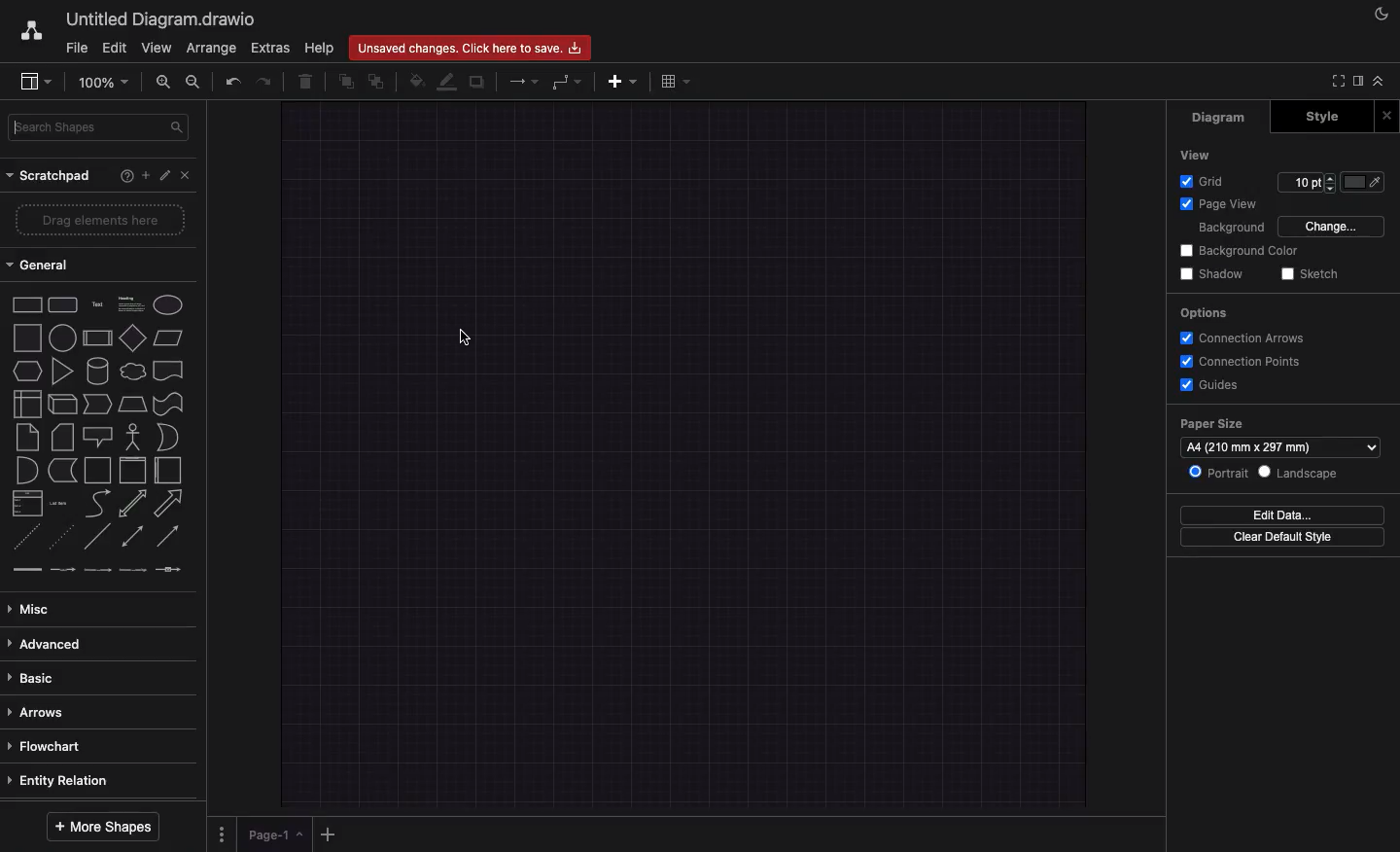  Describe the element at coordinates (221, 832) in the screenshot. I see `Options` at that location.